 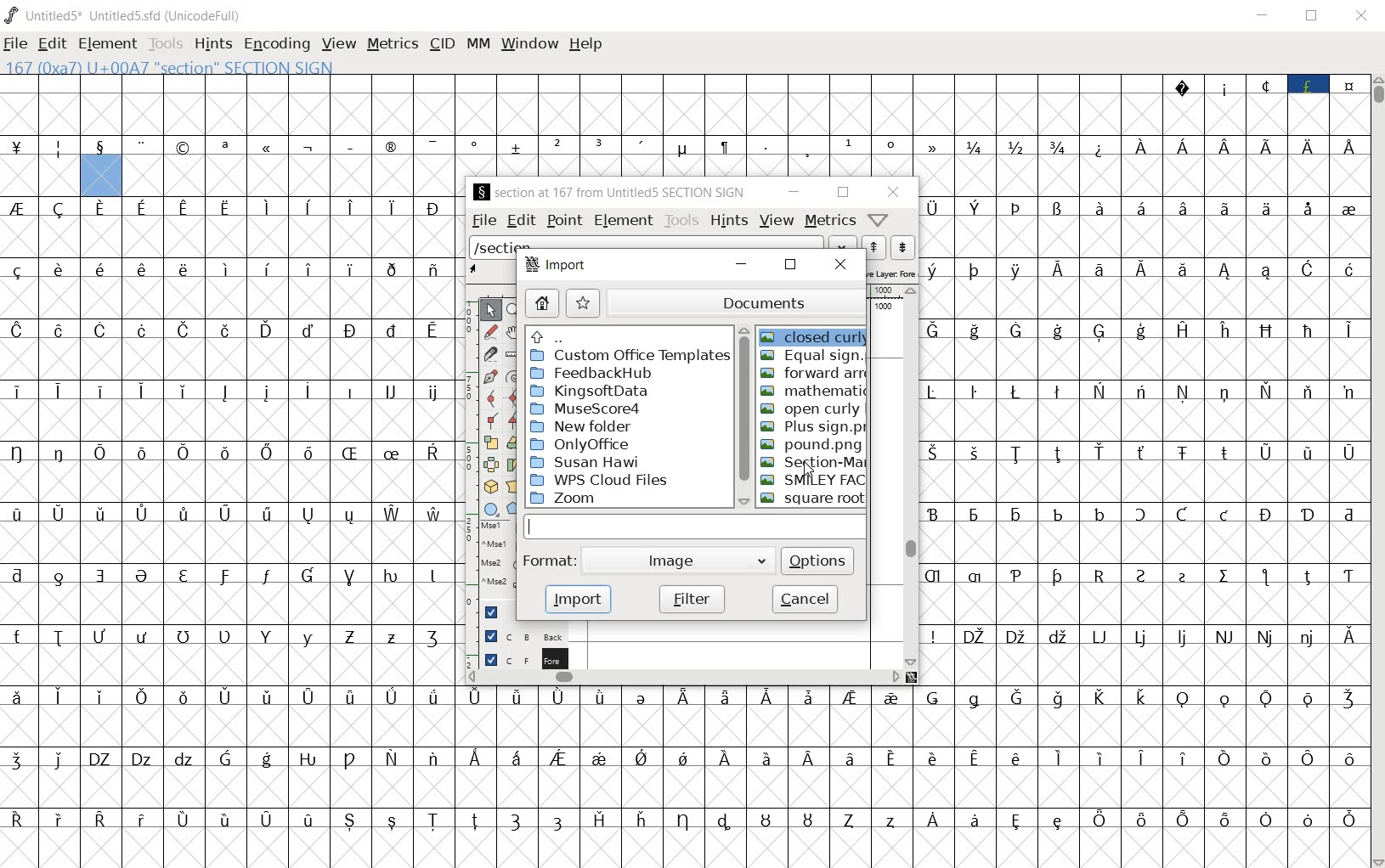 What do you see at coordinates (1143, 635) in the screenshot?
I see `special letters` at bounding box center [1143, 635].